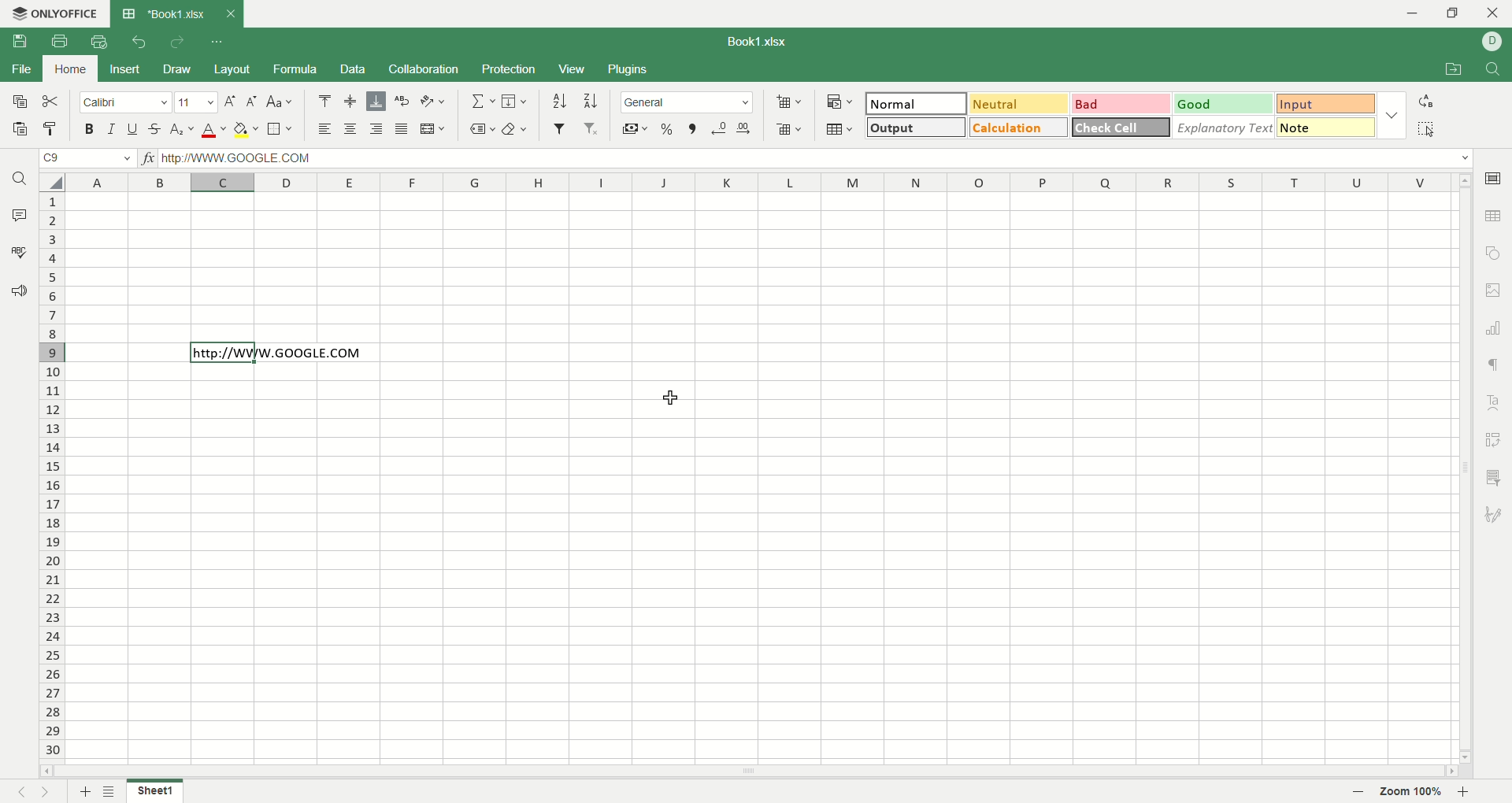  I want to click on column name, so click(764, 182).